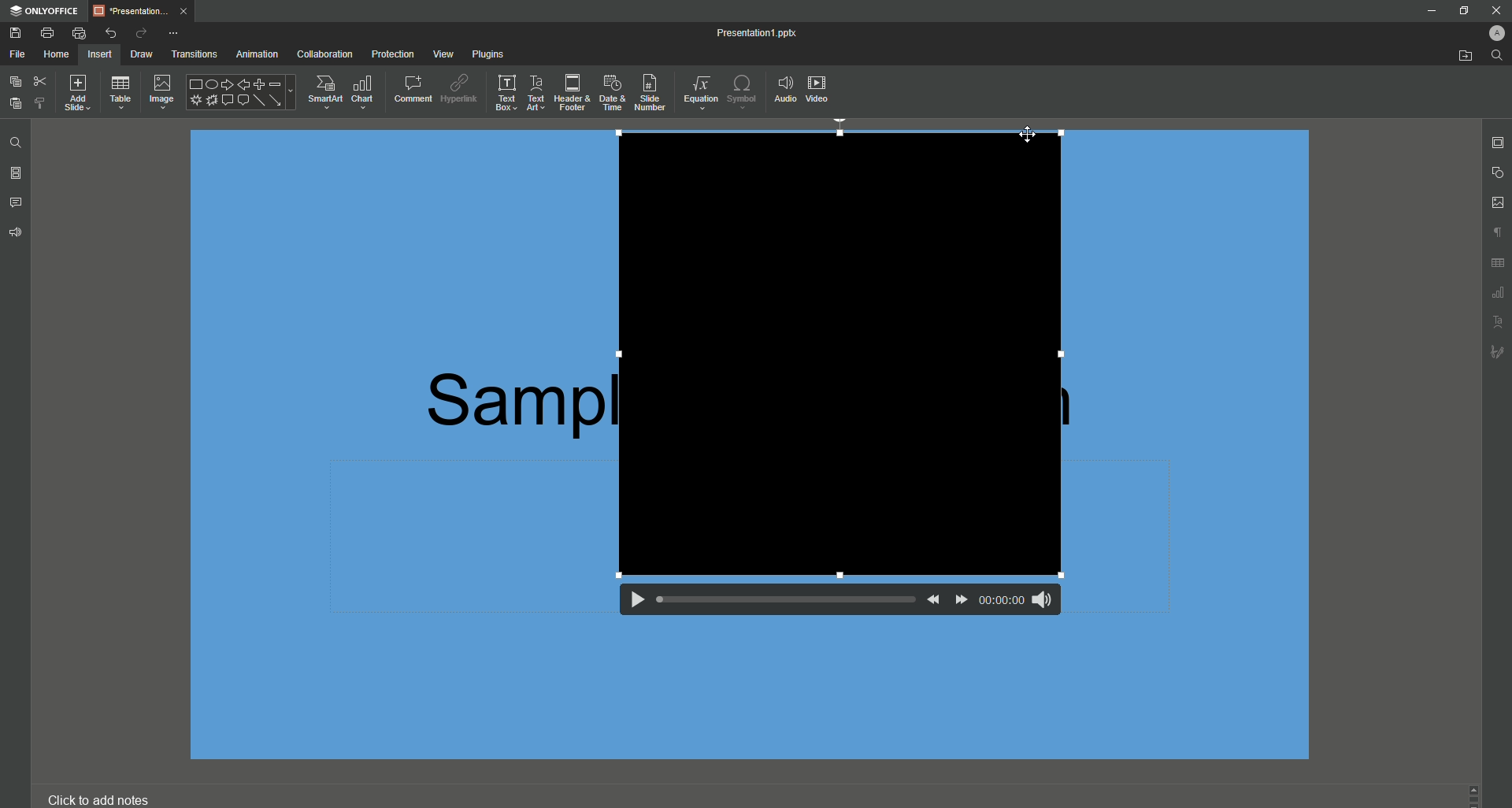  I want to click on Find, so click(14, 143).